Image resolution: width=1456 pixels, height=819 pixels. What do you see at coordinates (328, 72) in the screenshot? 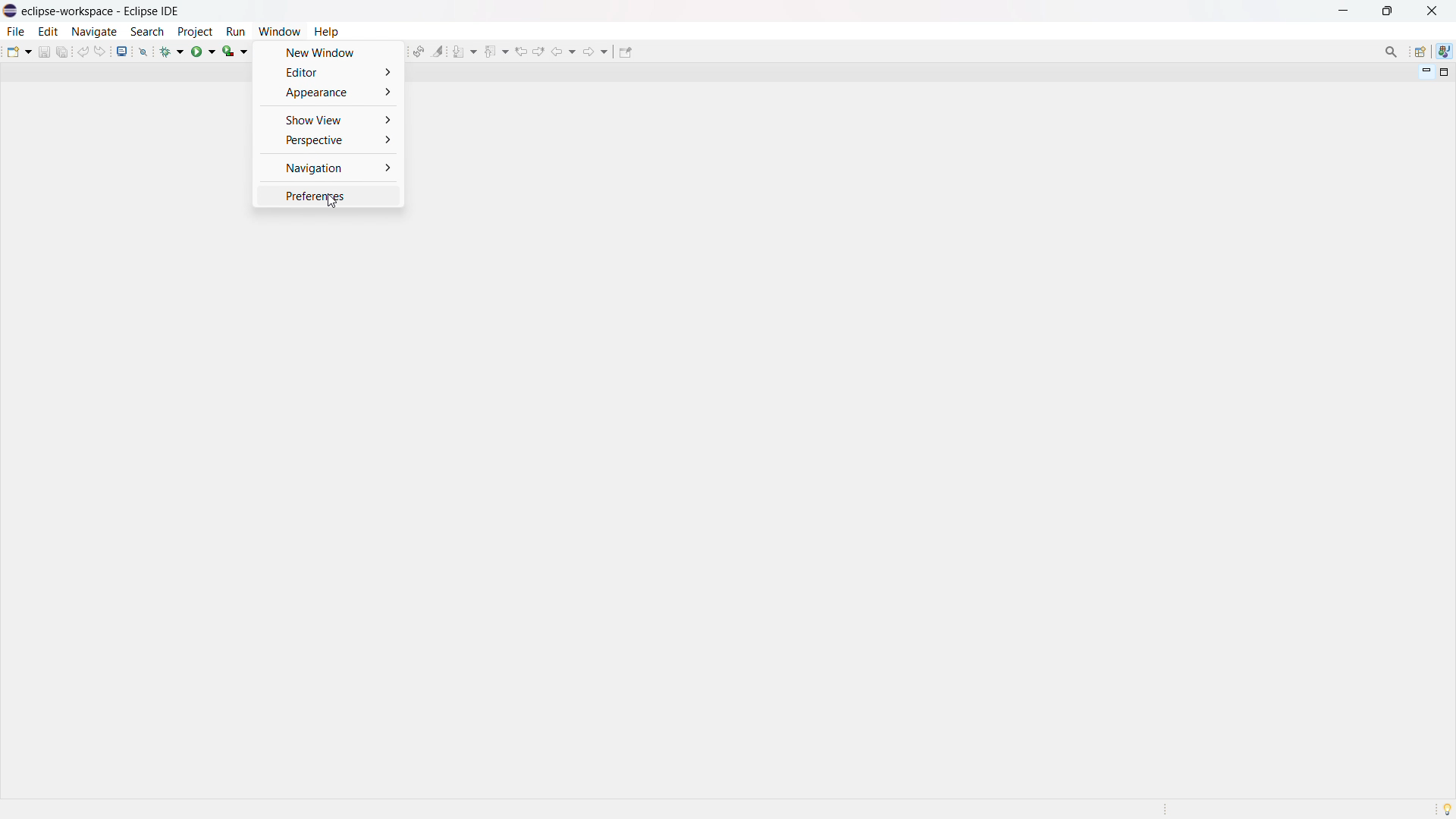
I see `editor` at bounding box center [328, 72].